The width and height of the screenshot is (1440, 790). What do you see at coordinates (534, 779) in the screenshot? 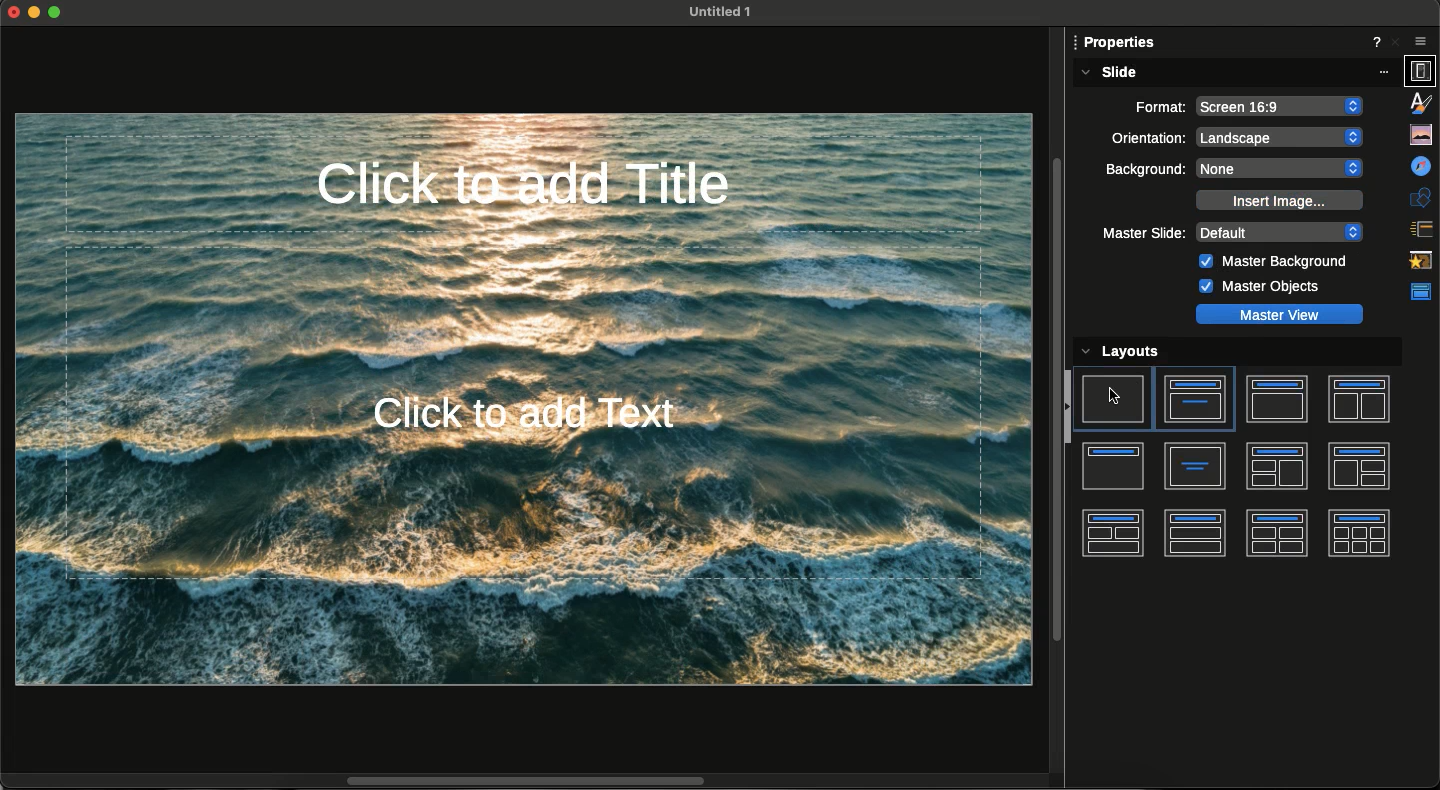
I see `Scrollbar` at bounding box center [534, 779].